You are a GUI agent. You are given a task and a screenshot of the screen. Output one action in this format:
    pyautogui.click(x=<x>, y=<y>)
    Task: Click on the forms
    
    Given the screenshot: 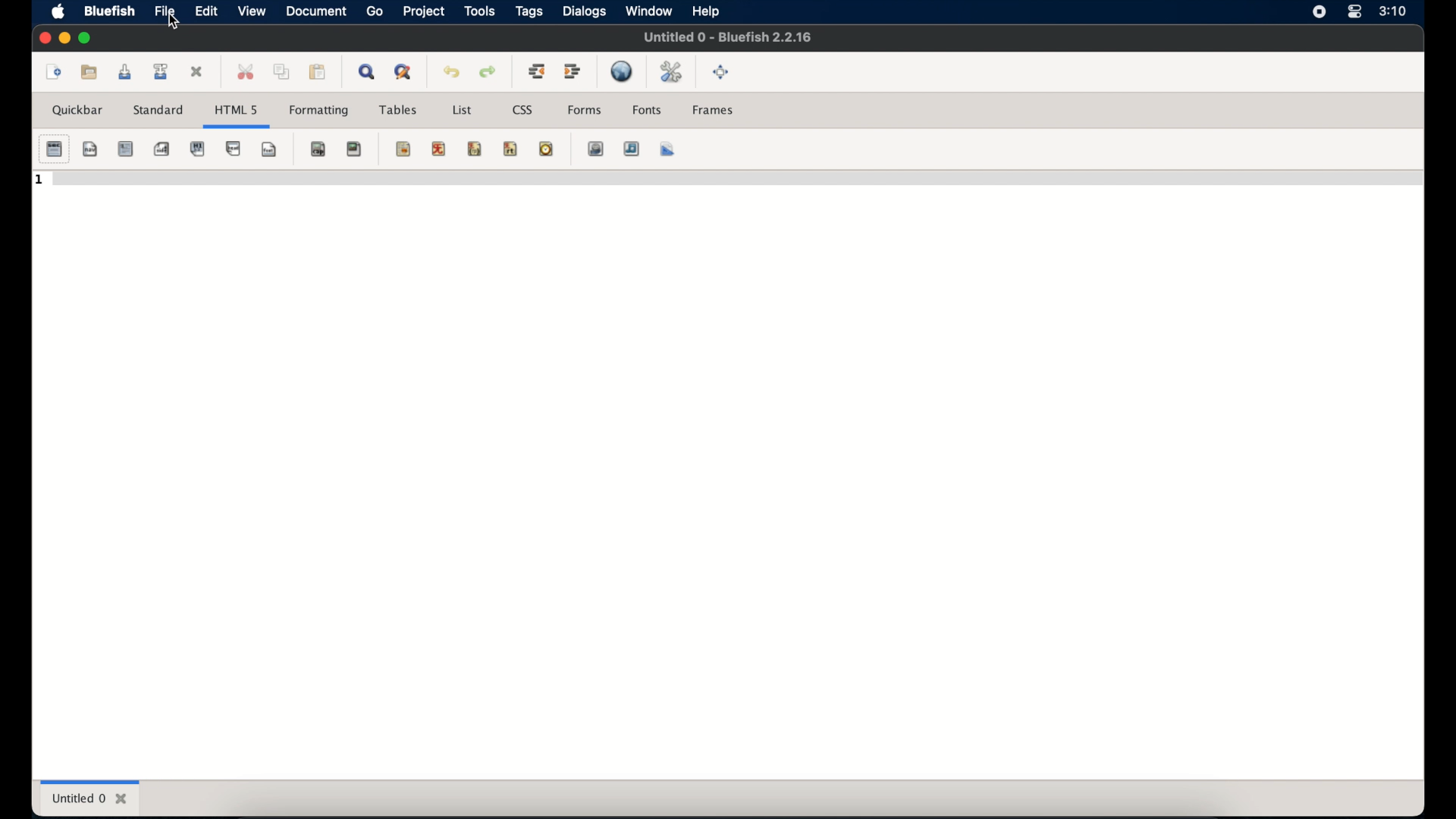 What is the action you would take?
    pyautogui.click(x=585, y=109)
    